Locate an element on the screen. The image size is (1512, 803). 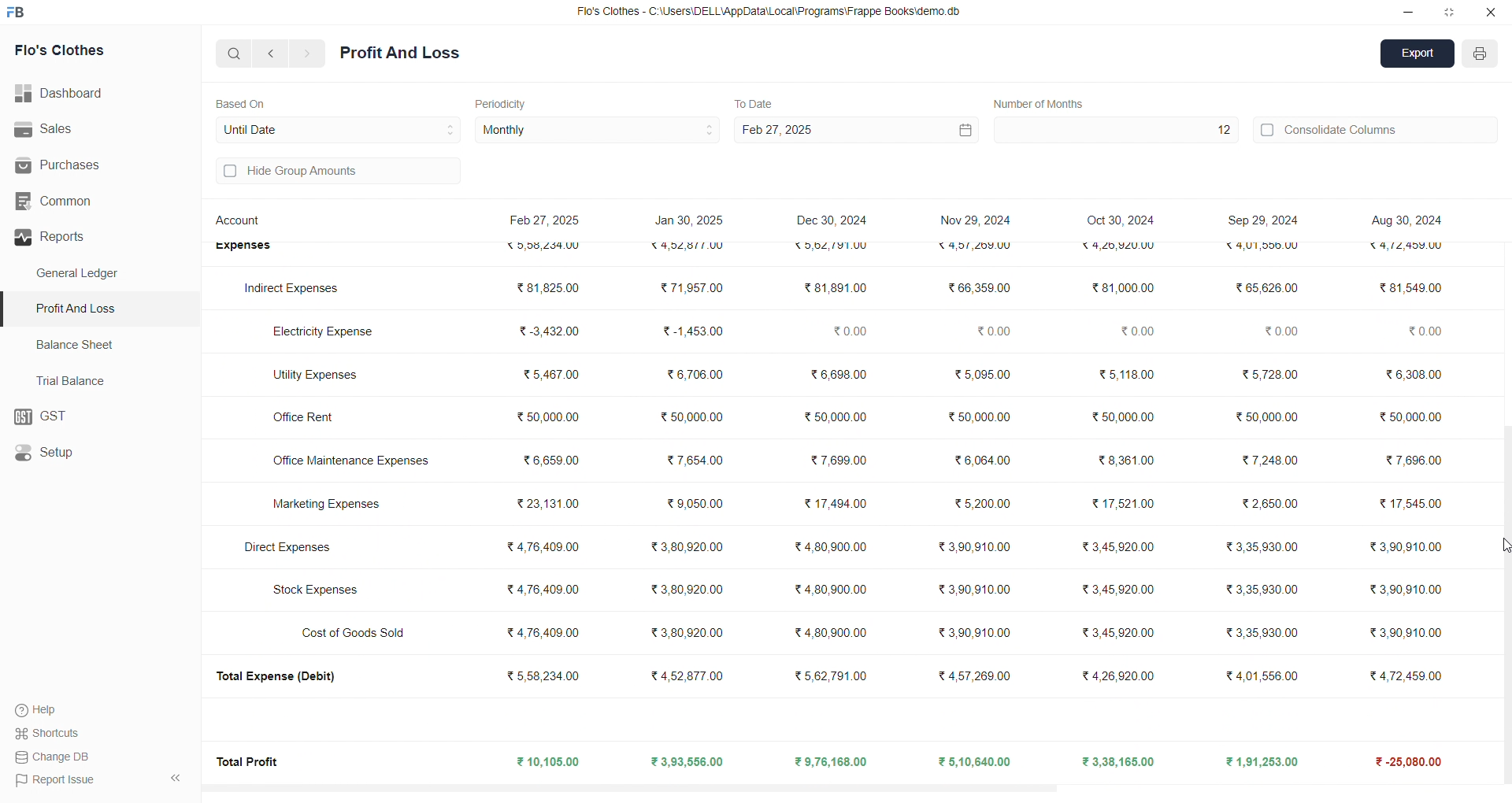
₹6,608.00 is located at coordinates (836, 377).